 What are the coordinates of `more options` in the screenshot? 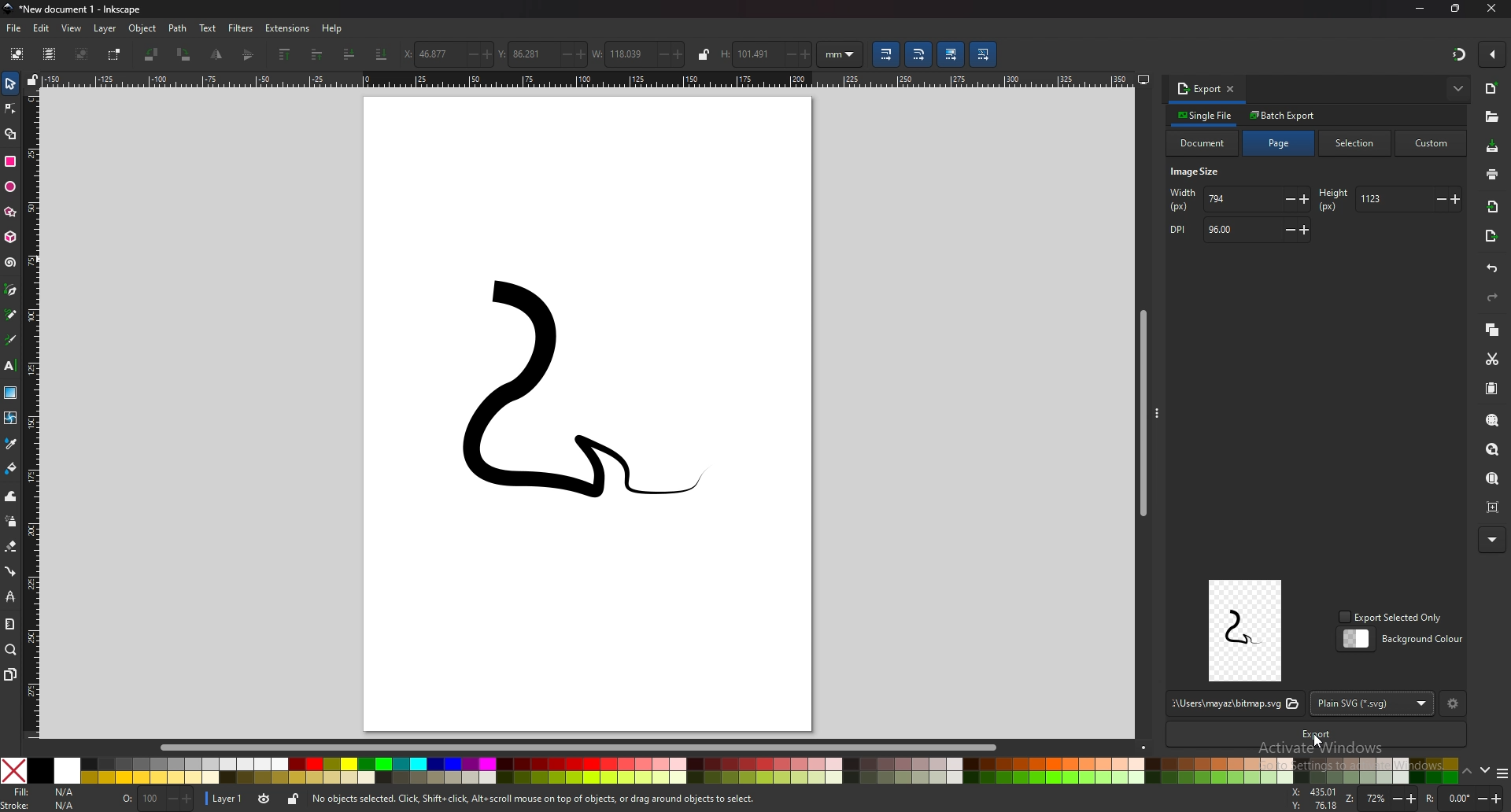 It's located at (1459, 88).